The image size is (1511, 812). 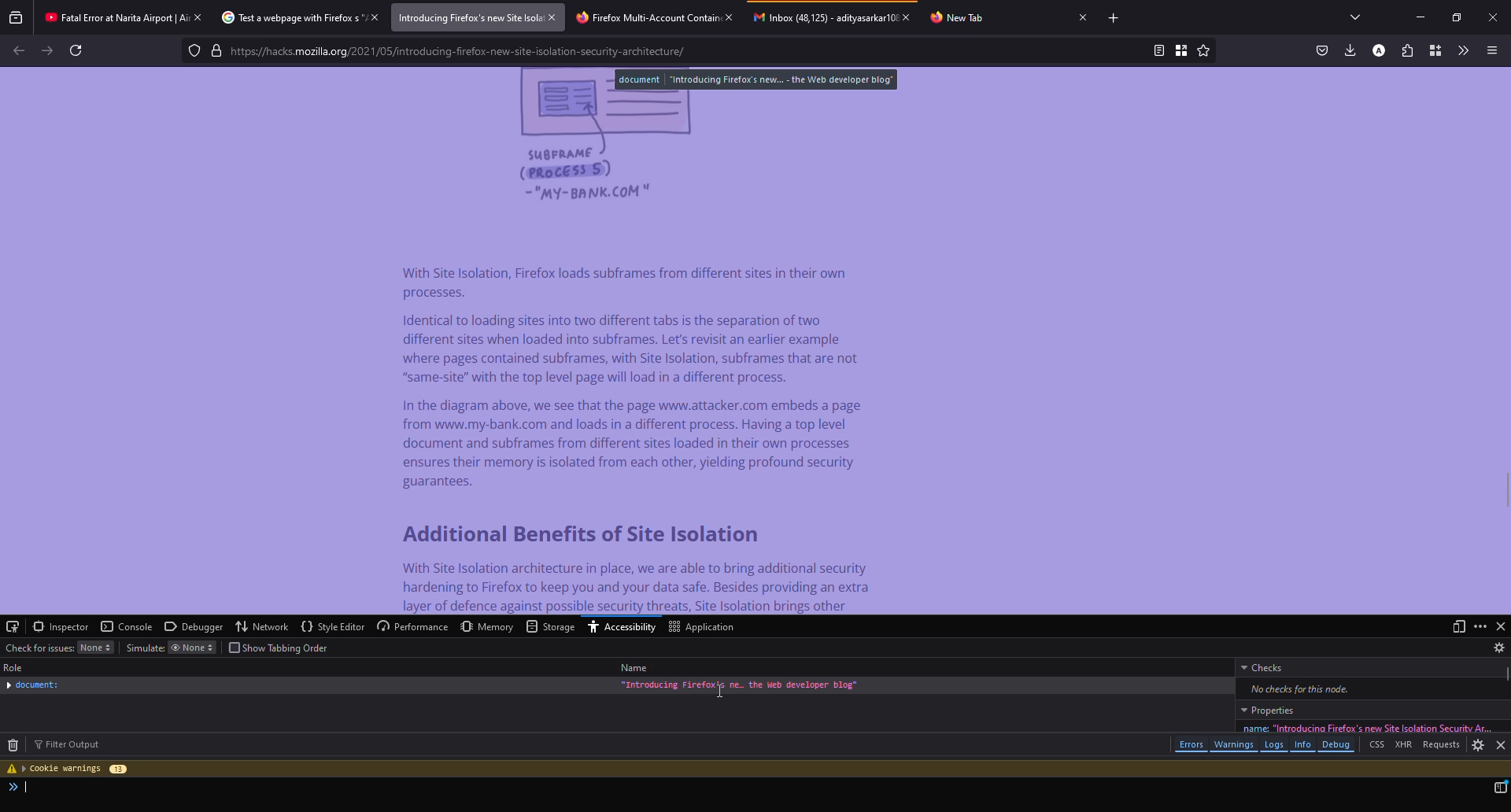 What do you see at coordinates (284, 648) in the screenshot?
I see `show tabbing order` at bounding box center [284, 648].